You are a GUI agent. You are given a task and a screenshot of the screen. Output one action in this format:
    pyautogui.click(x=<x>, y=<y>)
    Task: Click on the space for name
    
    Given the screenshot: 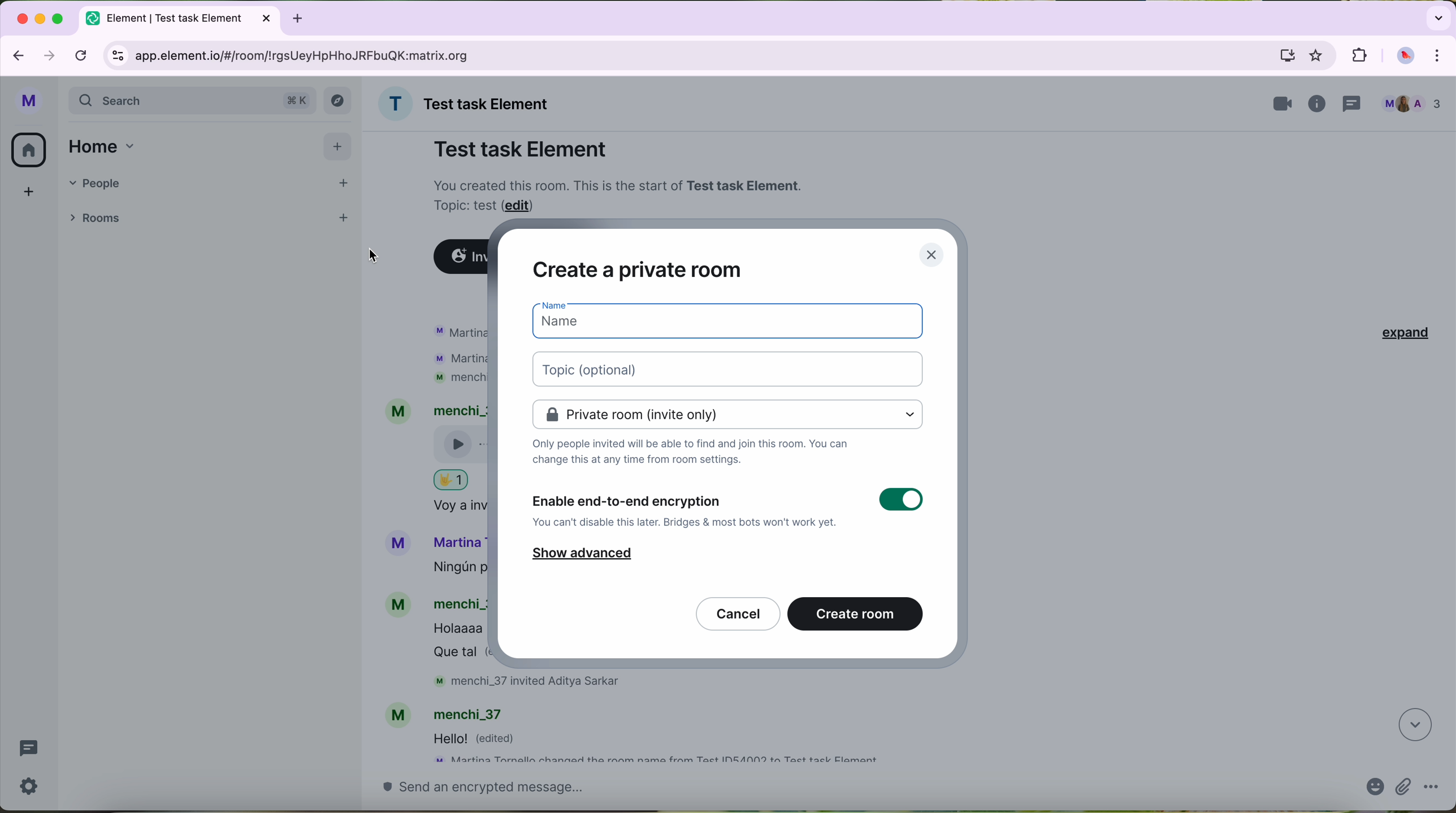 What is the action you would take?
    pyautogui.click(x=728, y=321)
    